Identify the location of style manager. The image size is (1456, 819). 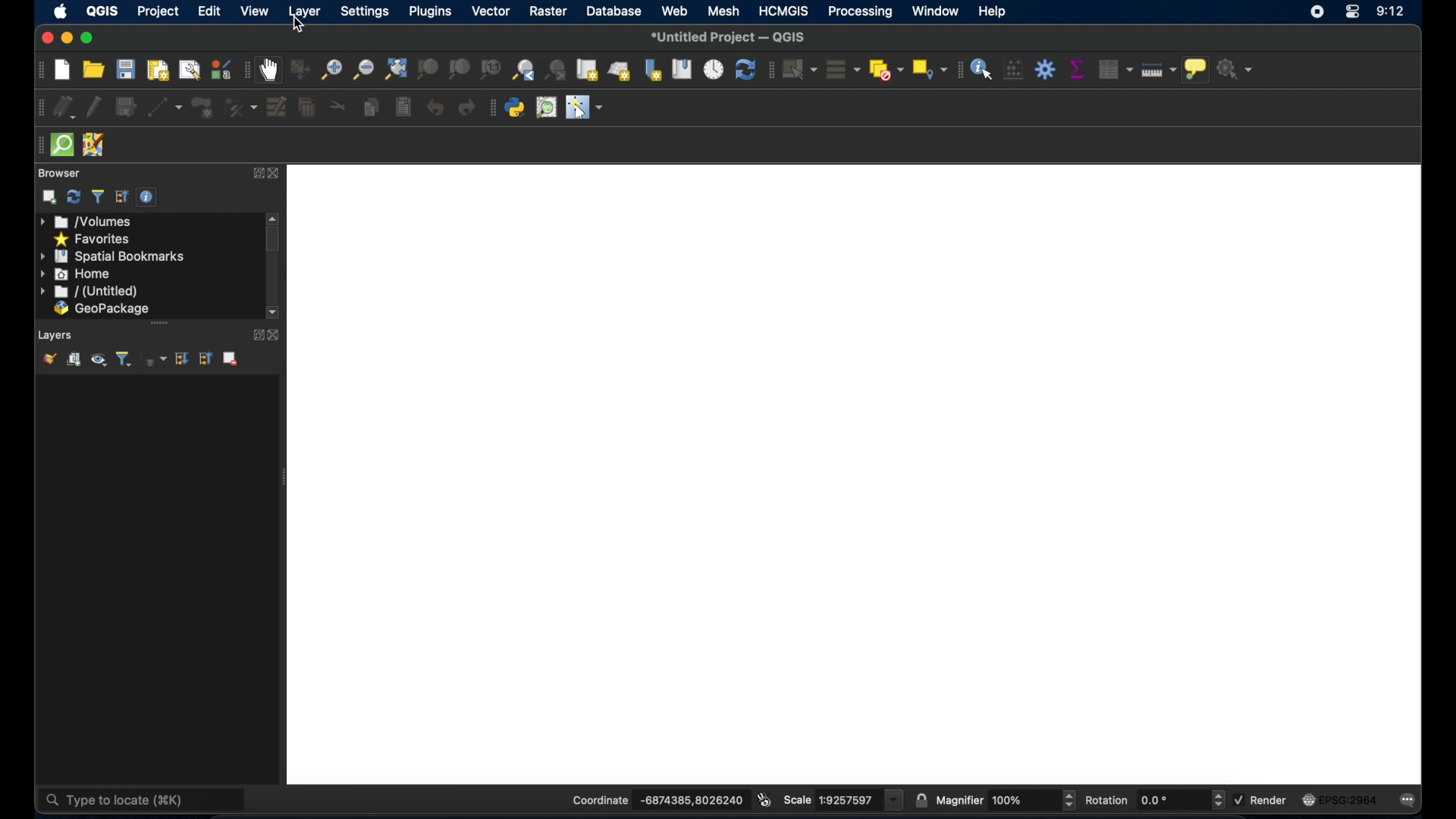
(220, 68).